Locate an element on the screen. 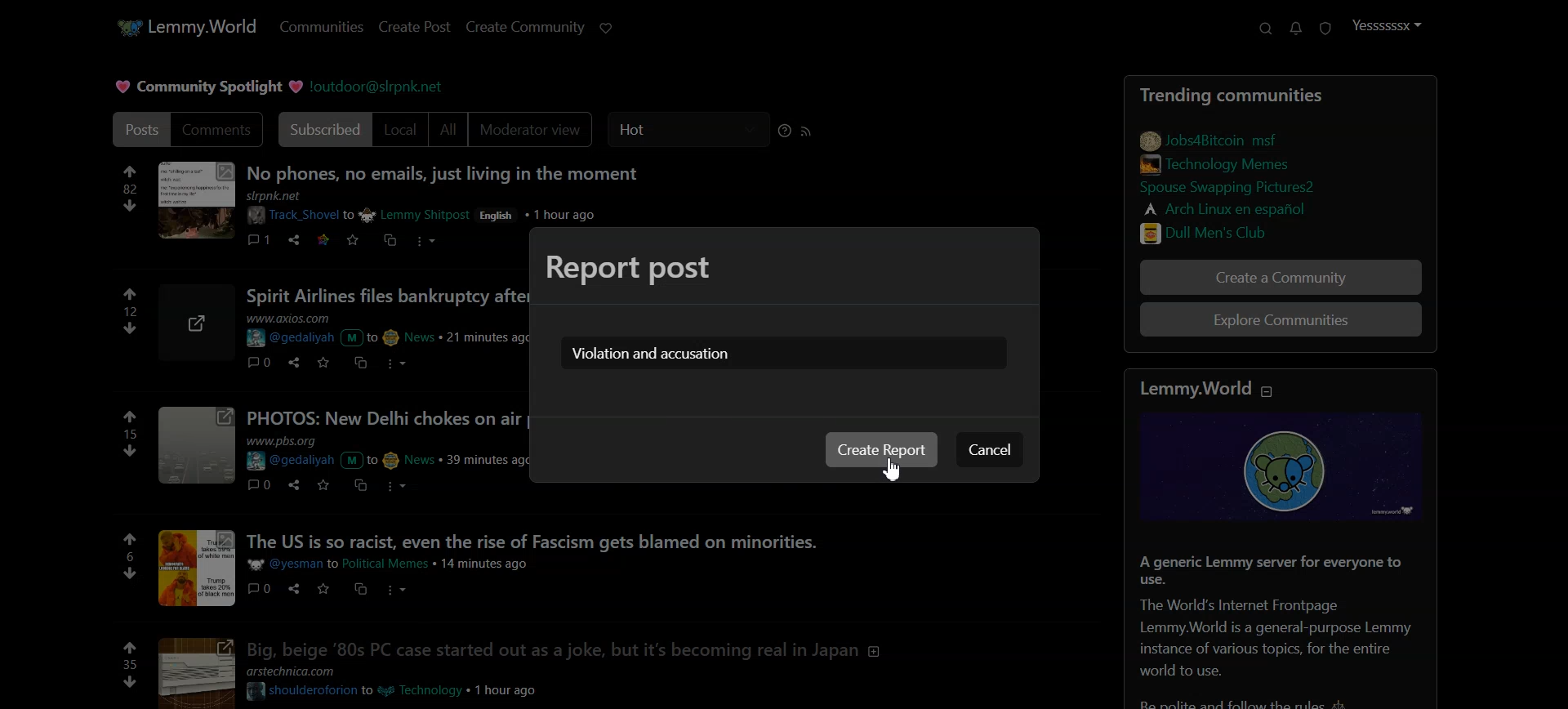 This screenshot has height=709, width=1568. Sorting help is located at coordinates (785, 131).